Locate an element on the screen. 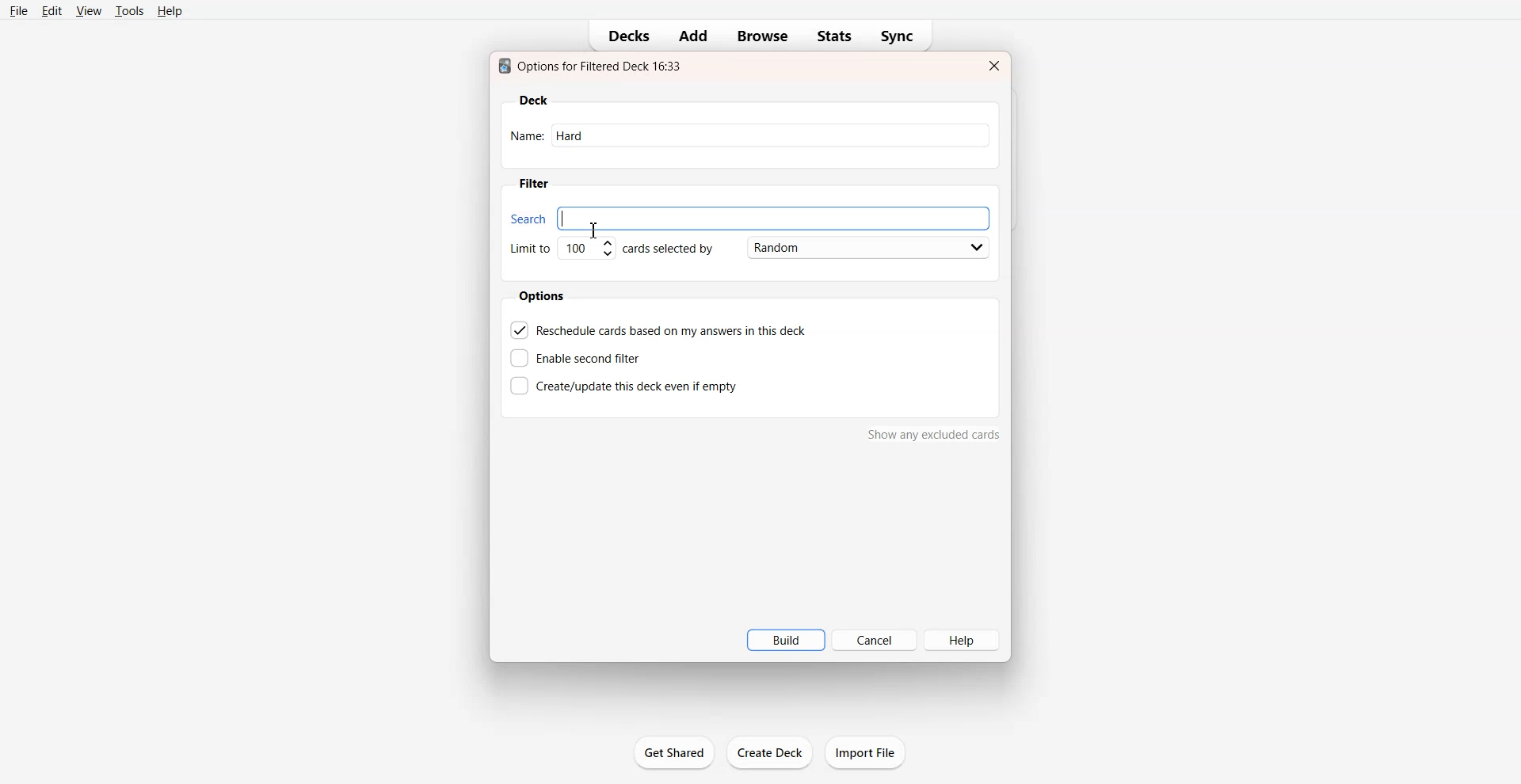  Build is located at coordinates (786, 640).